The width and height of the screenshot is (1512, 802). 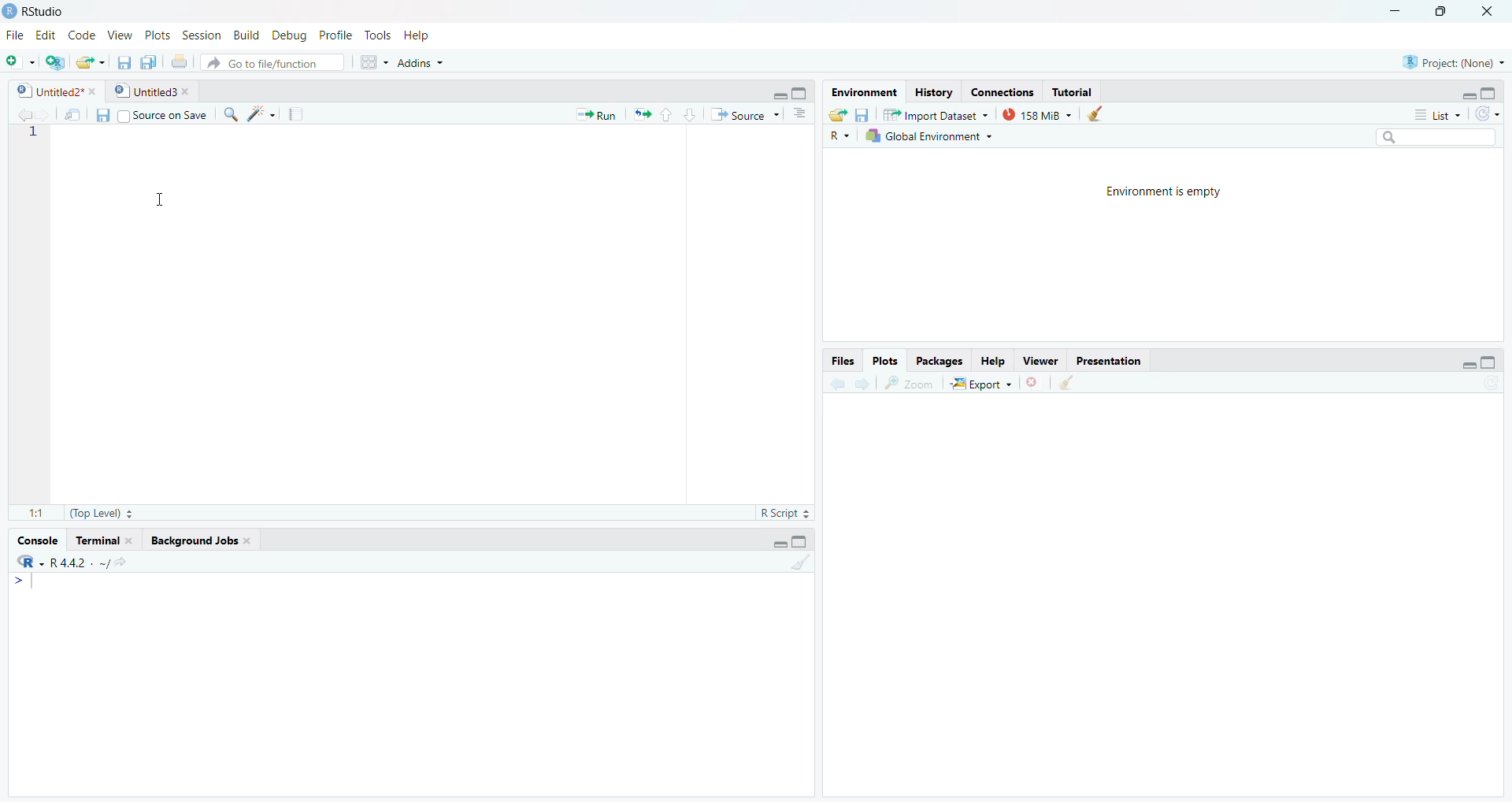 What do you see at coordinates (748, 114) in the screenshot?
I see `+ Source` at bounding box center [748, 114].